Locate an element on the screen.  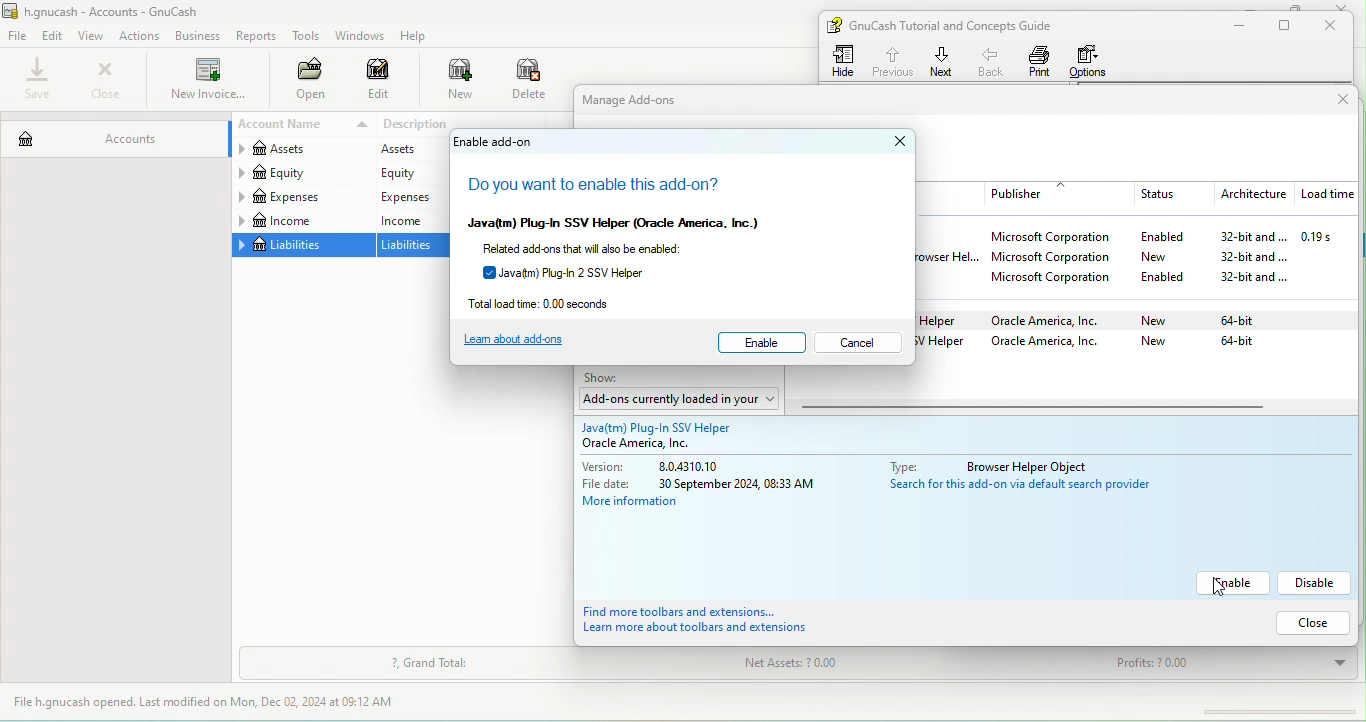
new is located at coordinates (1154, 322).